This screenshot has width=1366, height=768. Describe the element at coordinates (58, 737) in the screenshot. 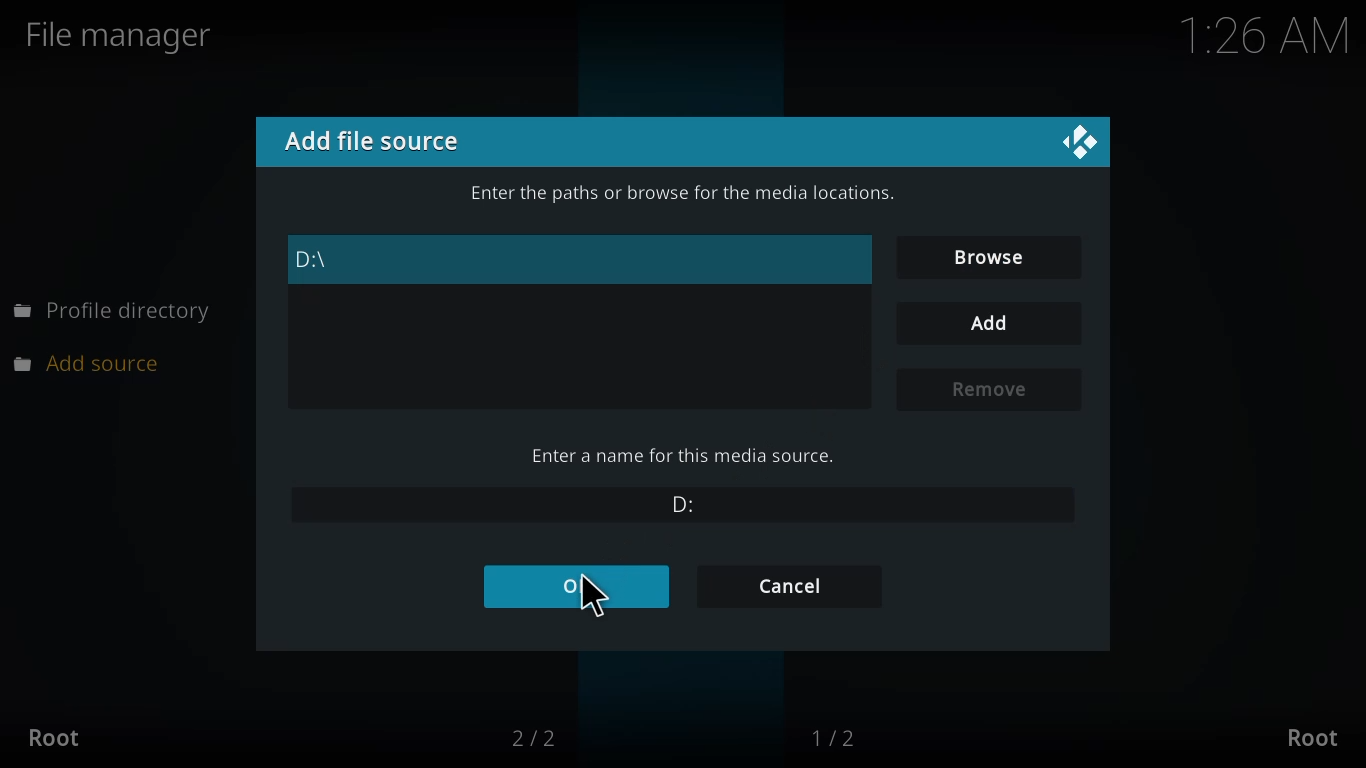

I see `Root` at that location.